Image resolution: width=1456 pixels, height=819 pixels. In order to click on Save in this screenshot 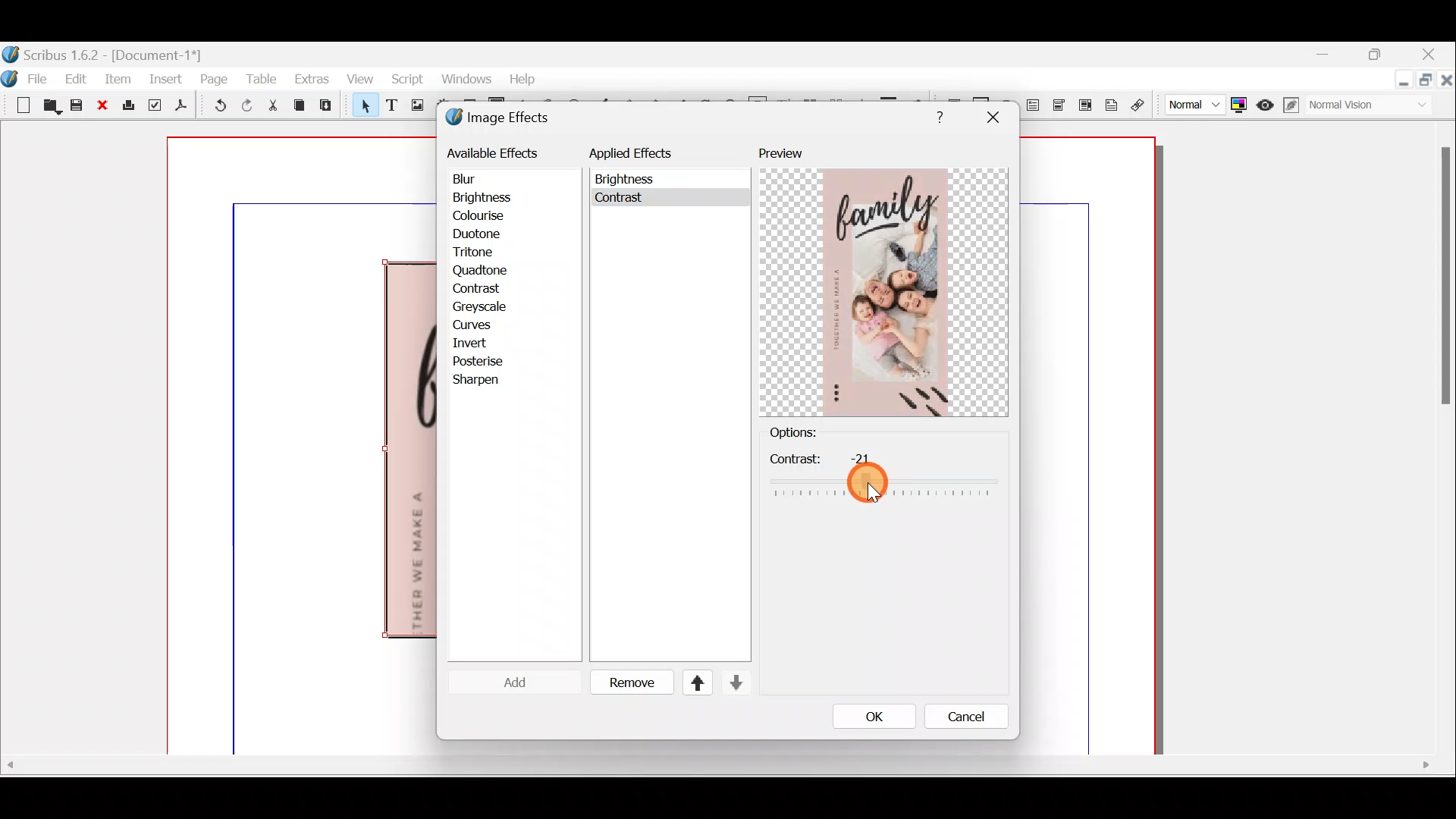, I will do `click(79, 107)`.